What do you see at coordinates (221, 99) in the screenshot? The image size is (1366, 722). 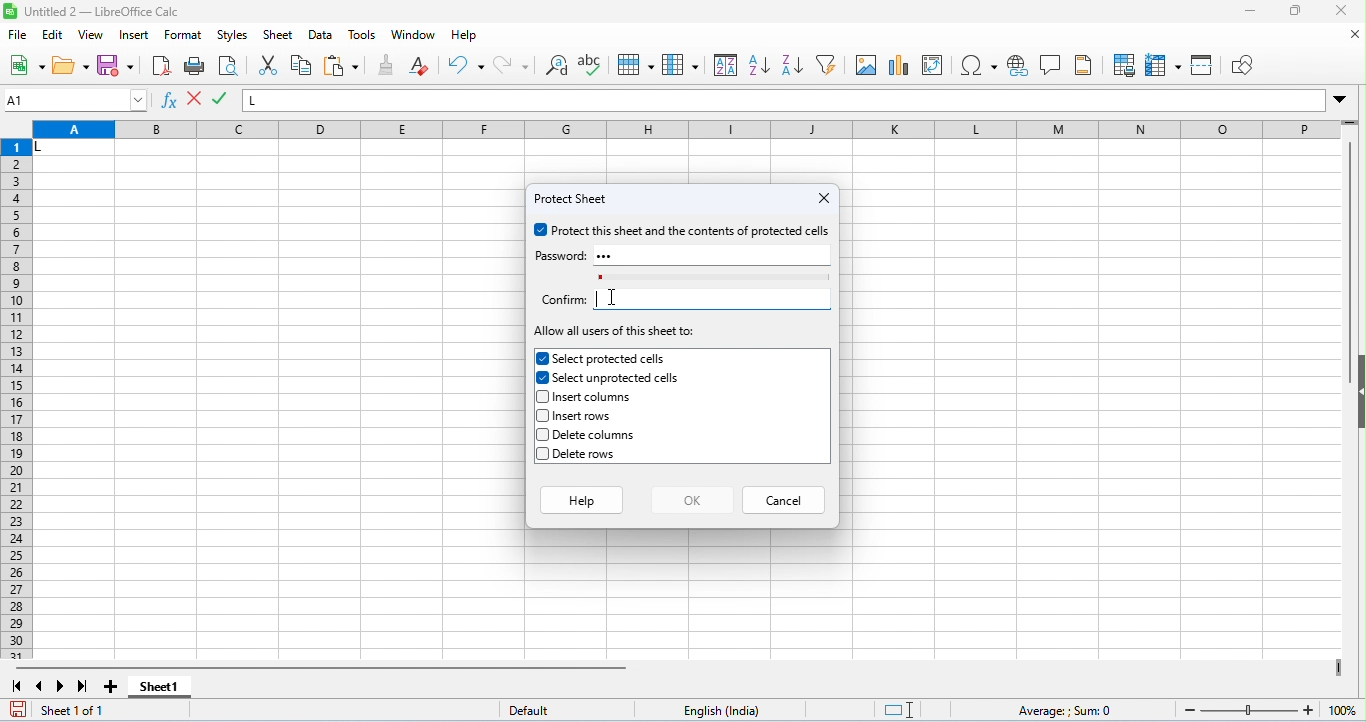 I see `reject` at bounding box center [221, 99].